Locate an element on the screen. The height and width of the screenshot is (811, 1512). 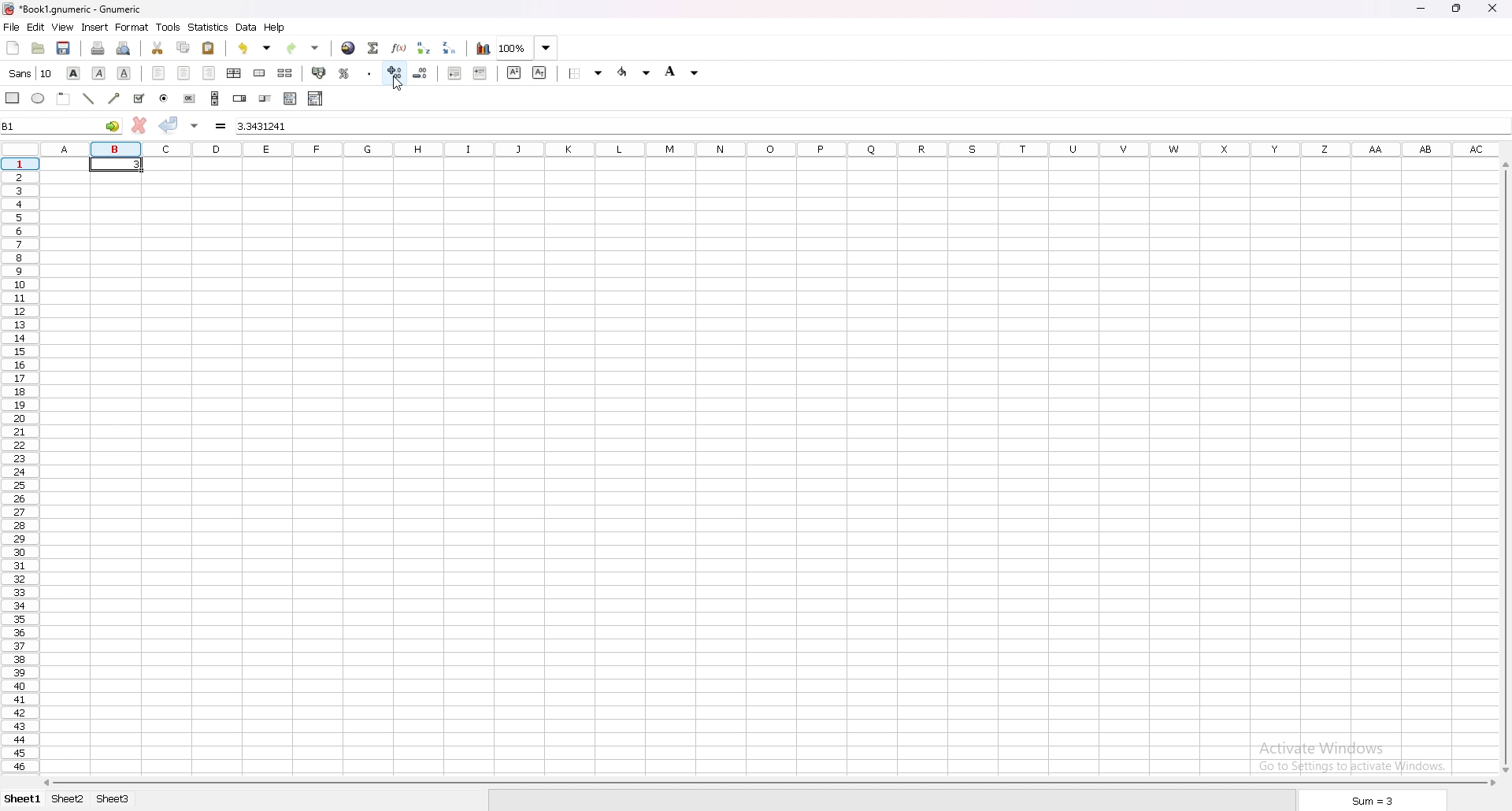
B1 is located at coordinates (60, 125).